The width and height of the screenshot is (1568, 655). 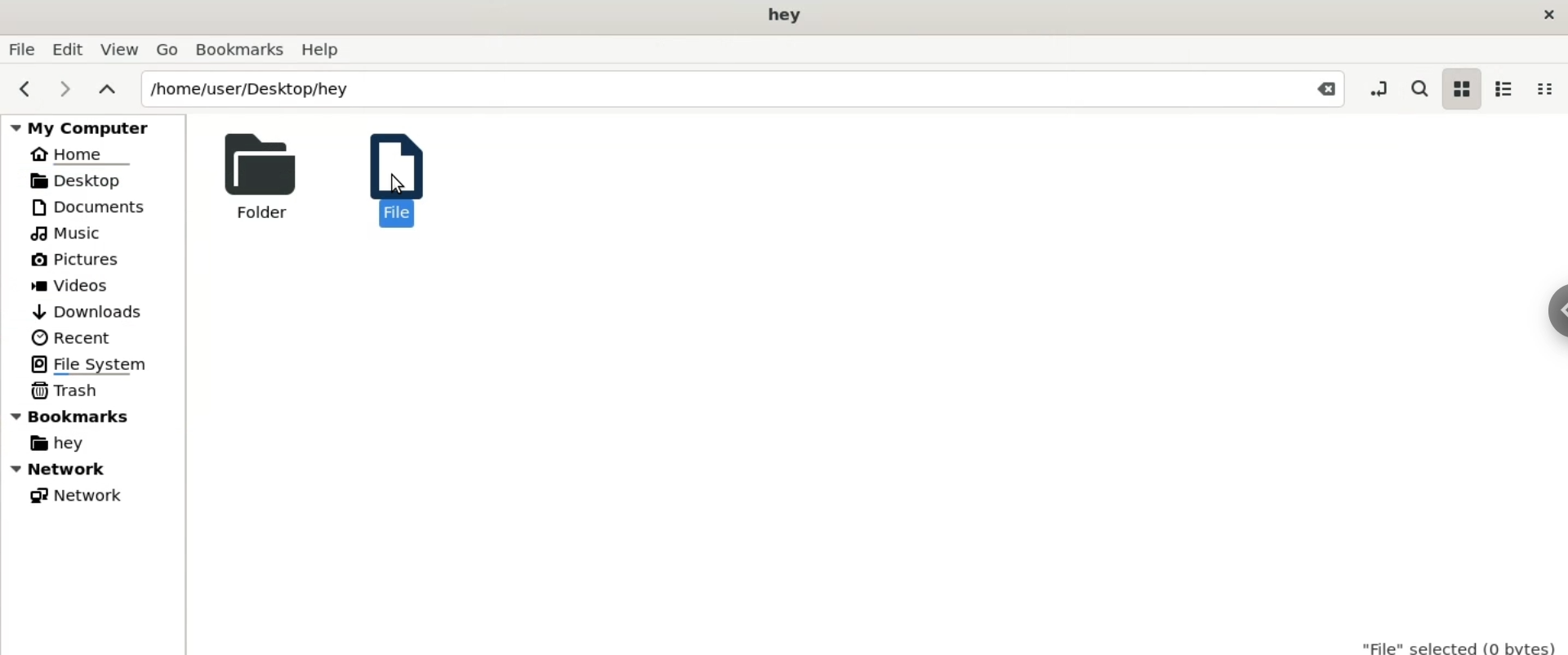 What do you see at coordinates (241, 50) in the screenshot?
I see `bookmarks` at bounding box center [241, 50].